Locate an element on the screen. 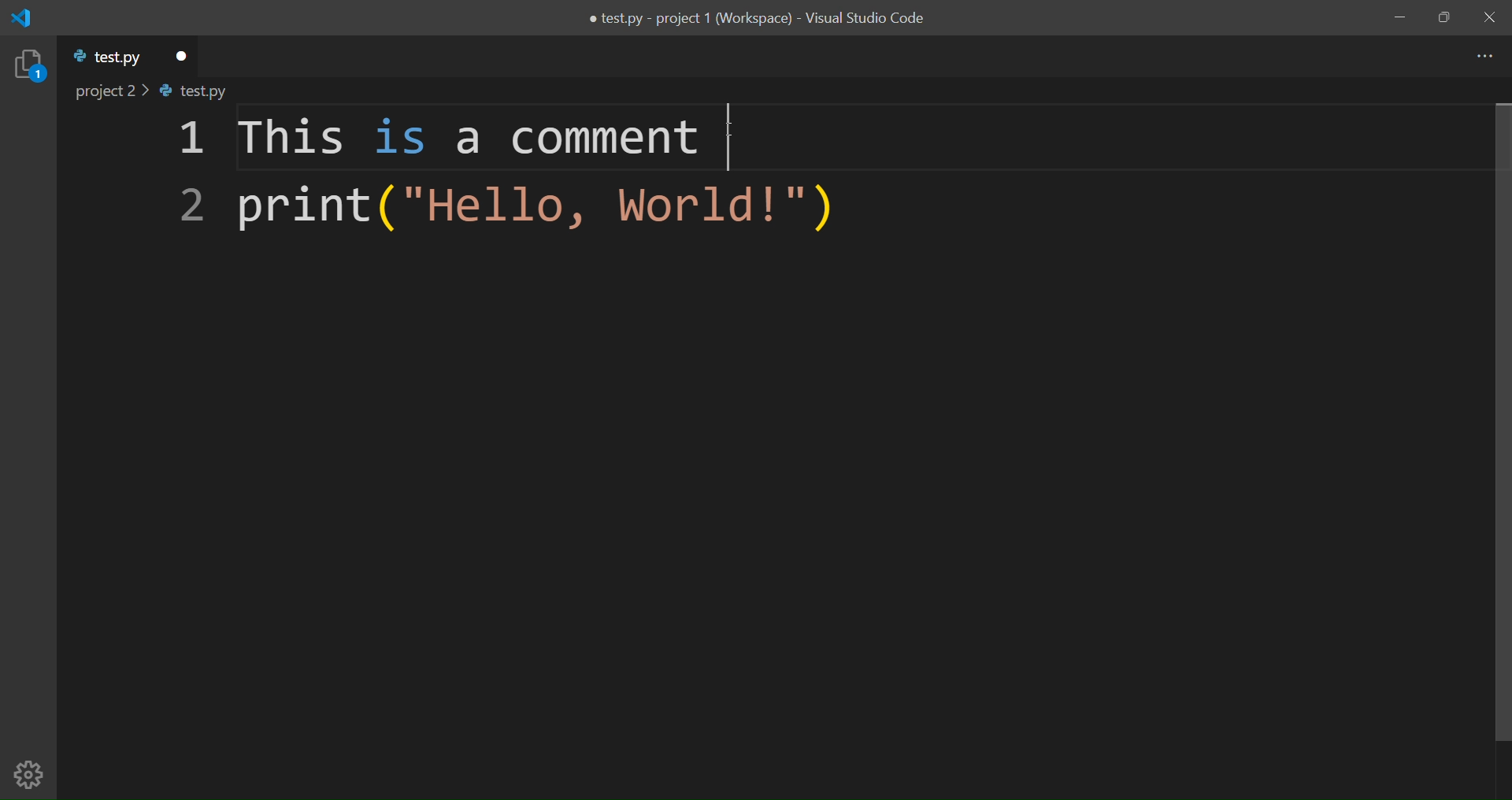 Image resolution: width=1512 pixels, height=800 pixels. maximize is located at coordinates (1444, 18).